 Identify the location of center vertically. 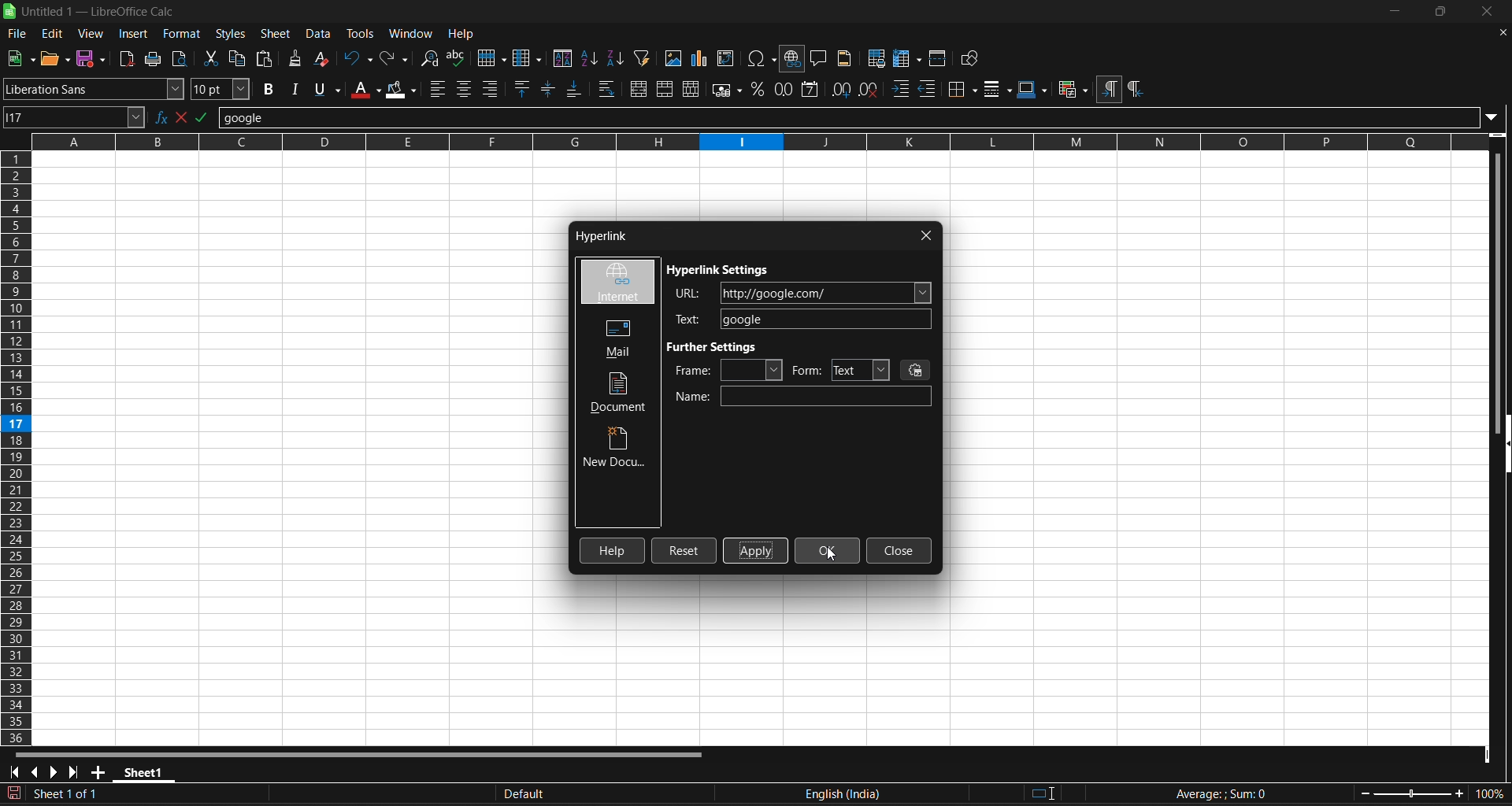
(550, 88).